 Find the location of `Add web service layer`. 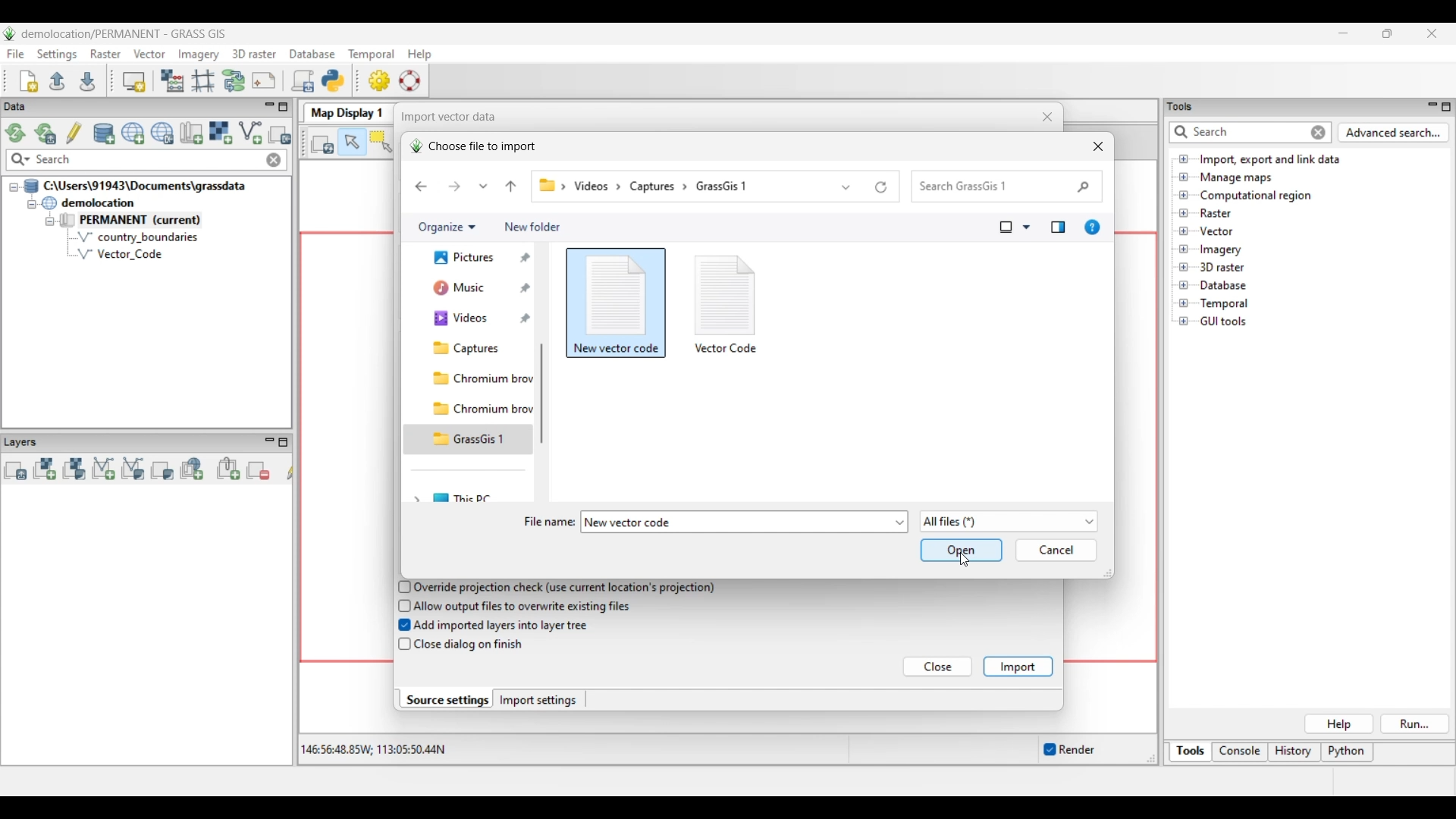

Add web service layer is located at coordinates (192, 469).